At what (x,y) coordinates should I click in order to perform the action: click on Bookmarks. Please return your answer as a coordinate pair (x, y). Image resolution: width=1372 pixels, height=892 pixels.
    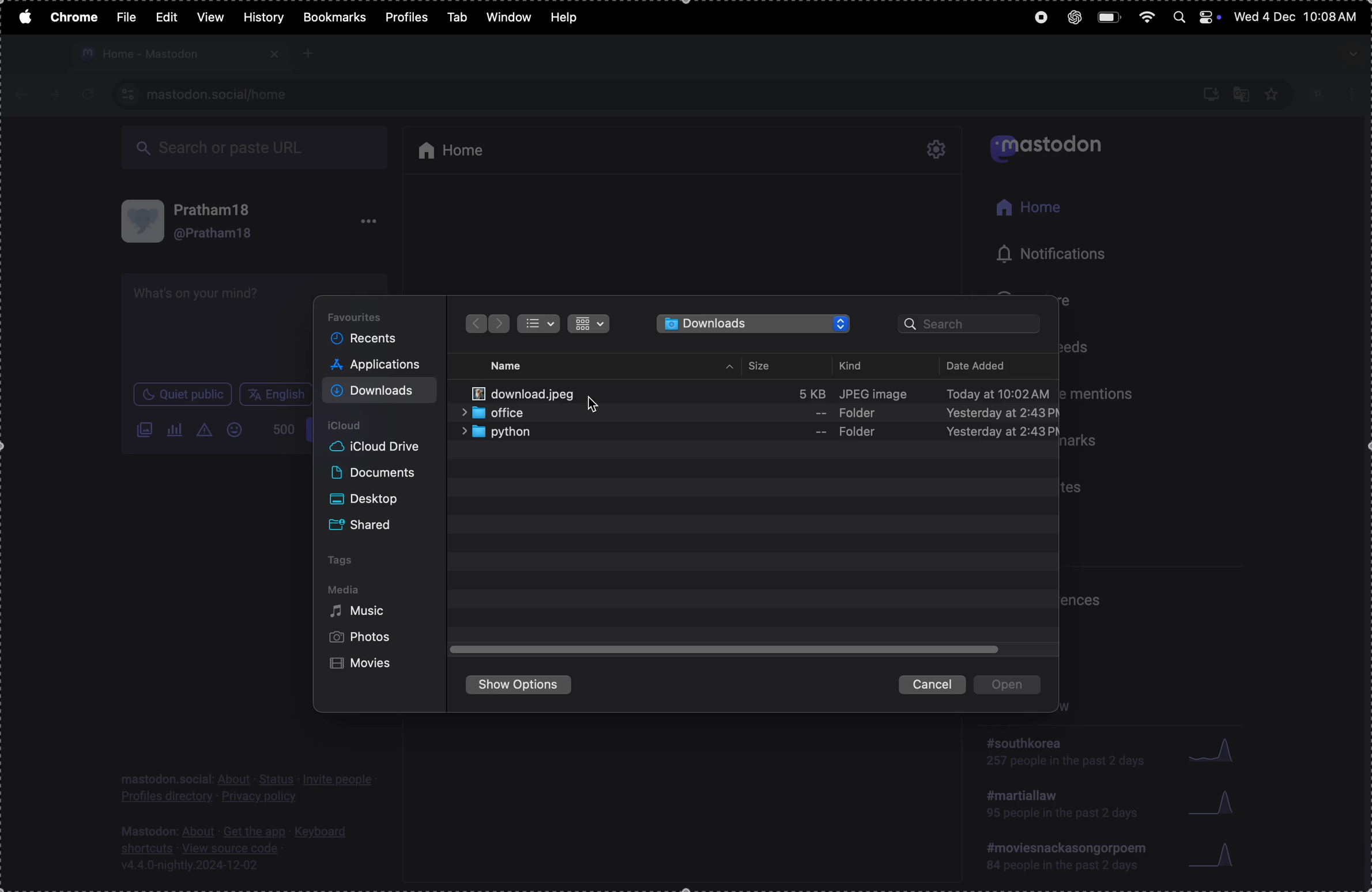
    Looking at the image, I should click on (334, 17).